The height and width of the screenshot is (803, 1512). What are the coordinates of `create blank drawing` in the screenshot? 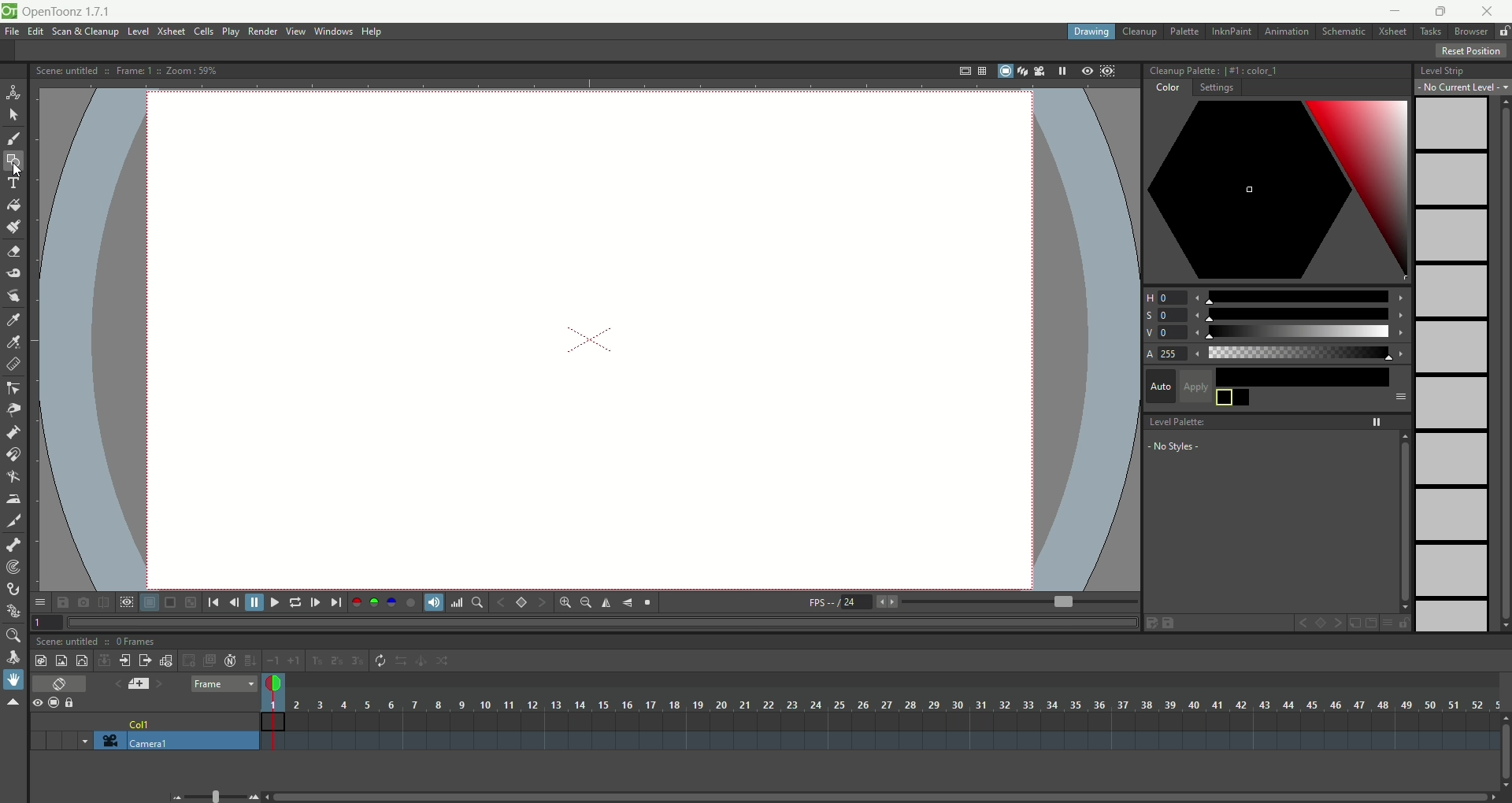 It's located at (191, 661).